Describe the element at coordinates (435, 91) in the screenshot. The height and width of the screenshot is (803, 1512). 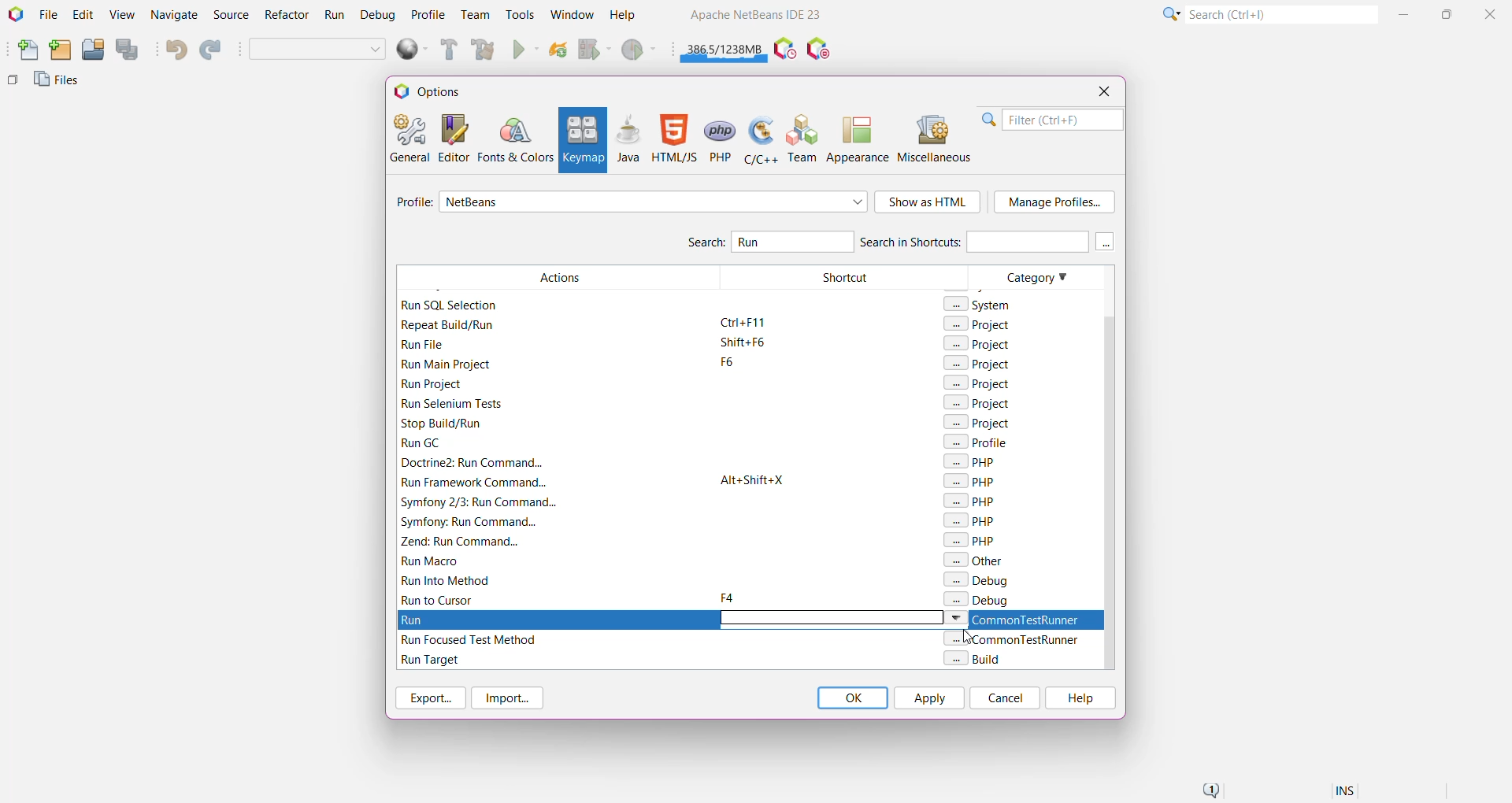
I see `Options` at that location.